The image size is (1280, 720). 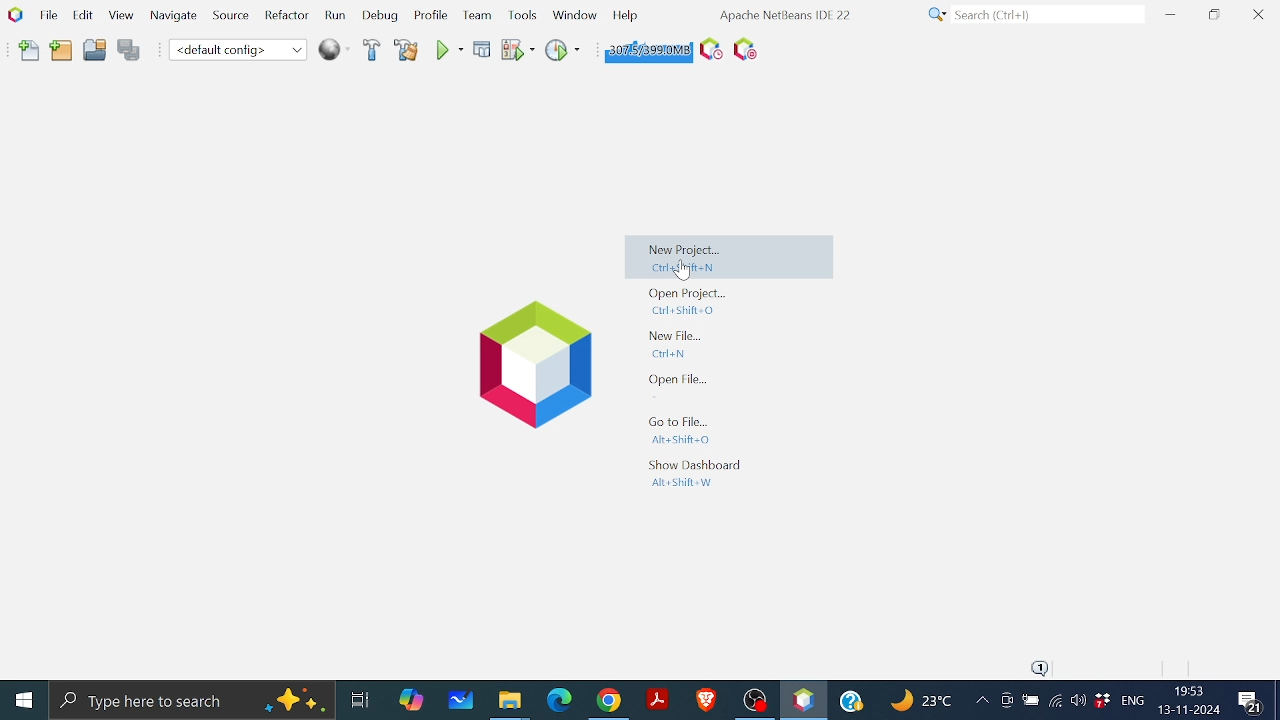 I want to click on Show hidden icons, so click(x=982, y=703).